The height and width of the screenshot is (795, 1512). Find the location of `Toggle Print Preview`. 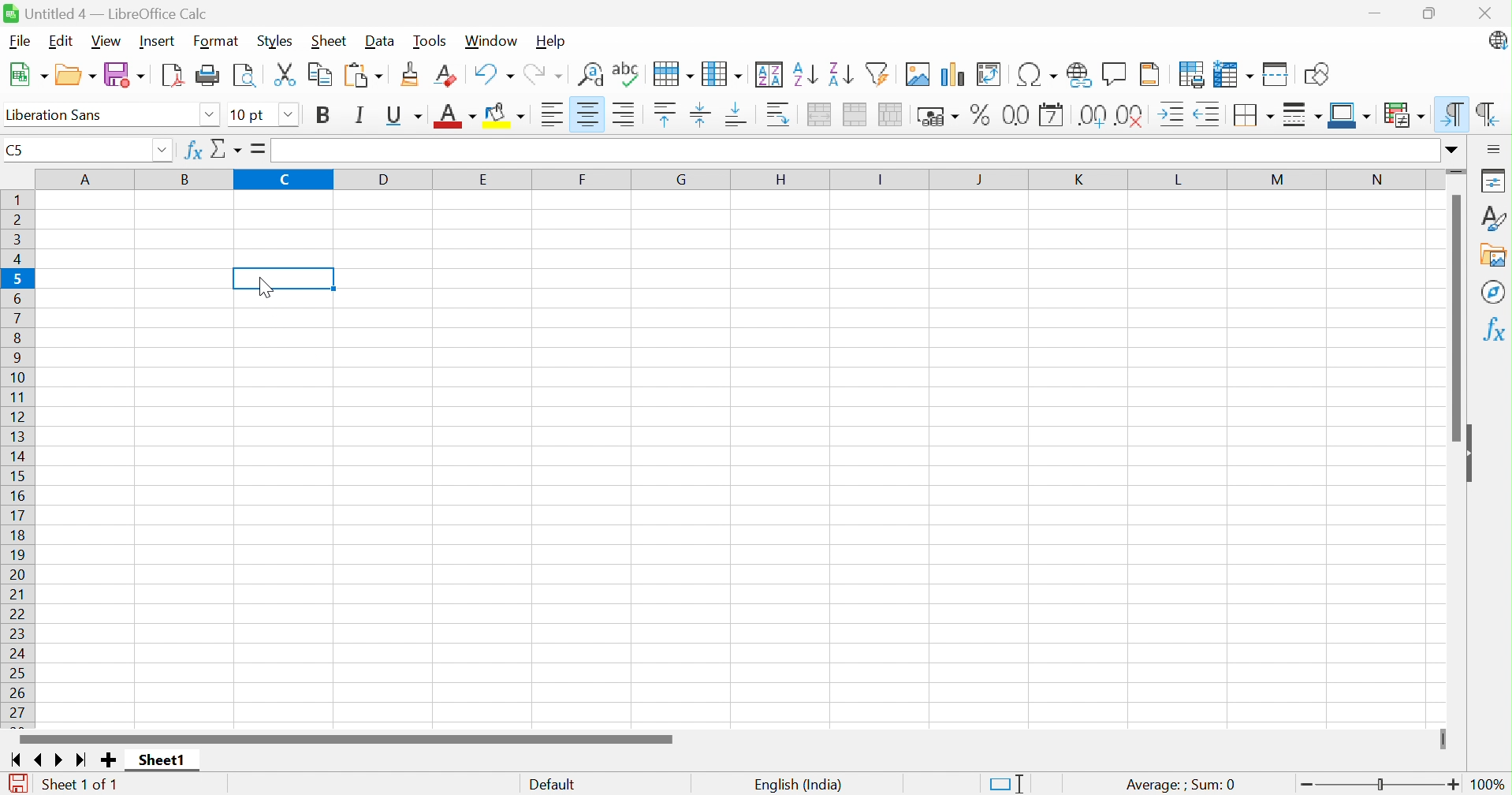

Toggle Print Preview is located at coordinates (246, 74).